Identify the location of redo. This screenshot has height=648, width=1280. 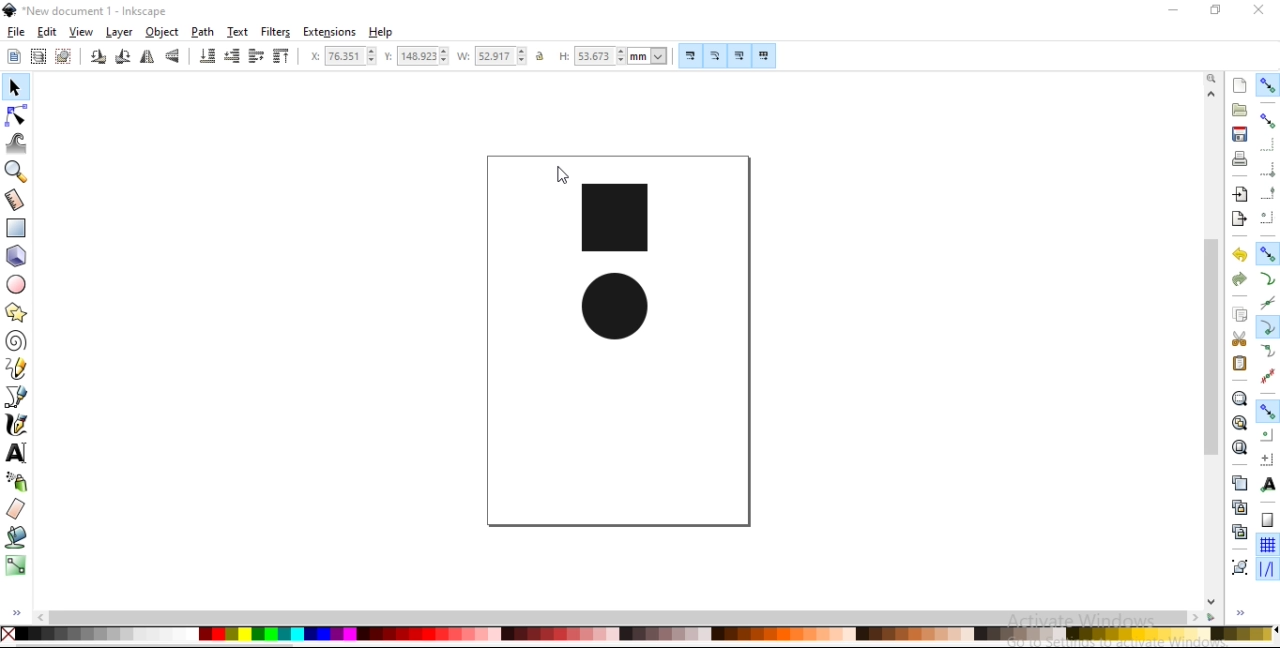
(1237, 279).